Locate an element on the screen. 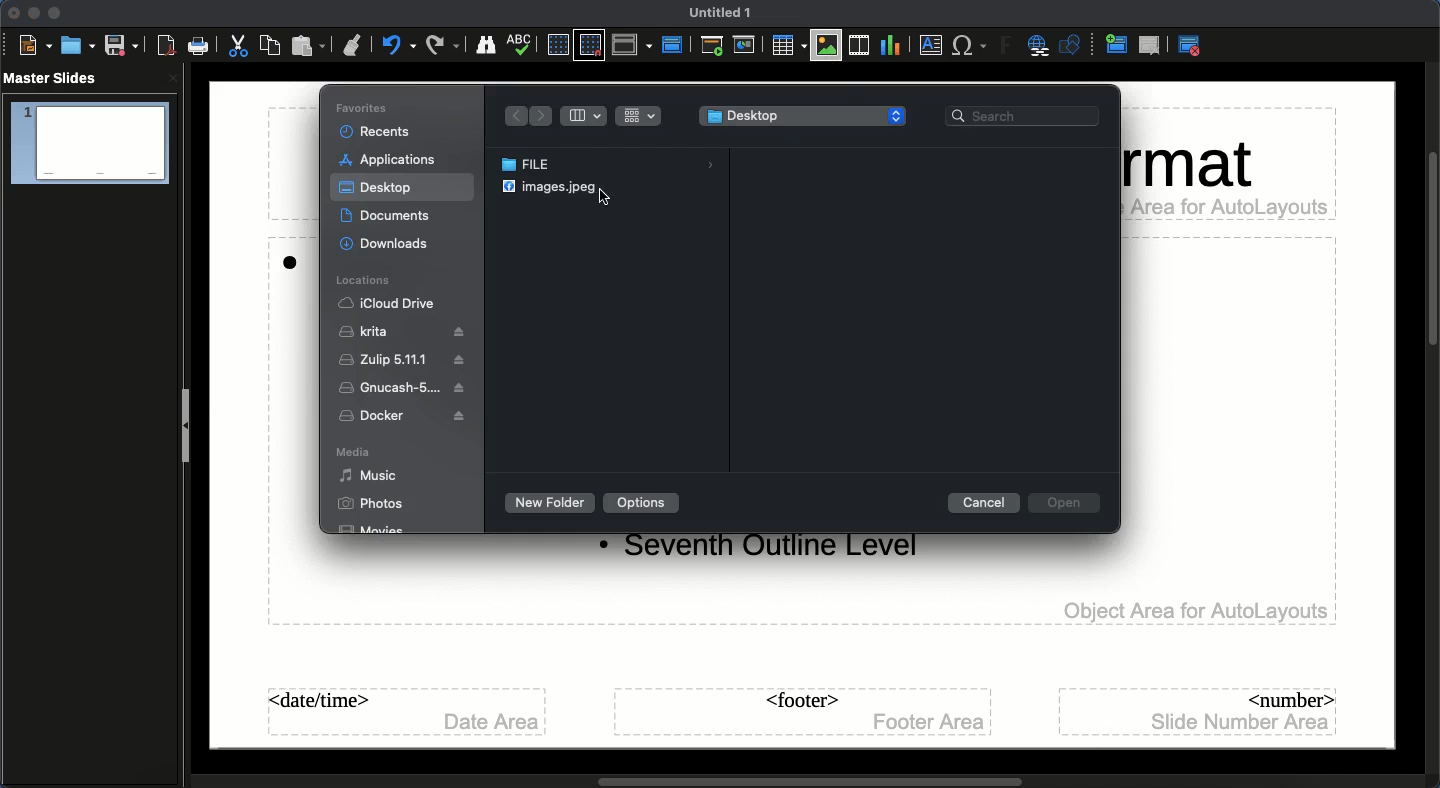  Media is located at coordinates (354, 451).